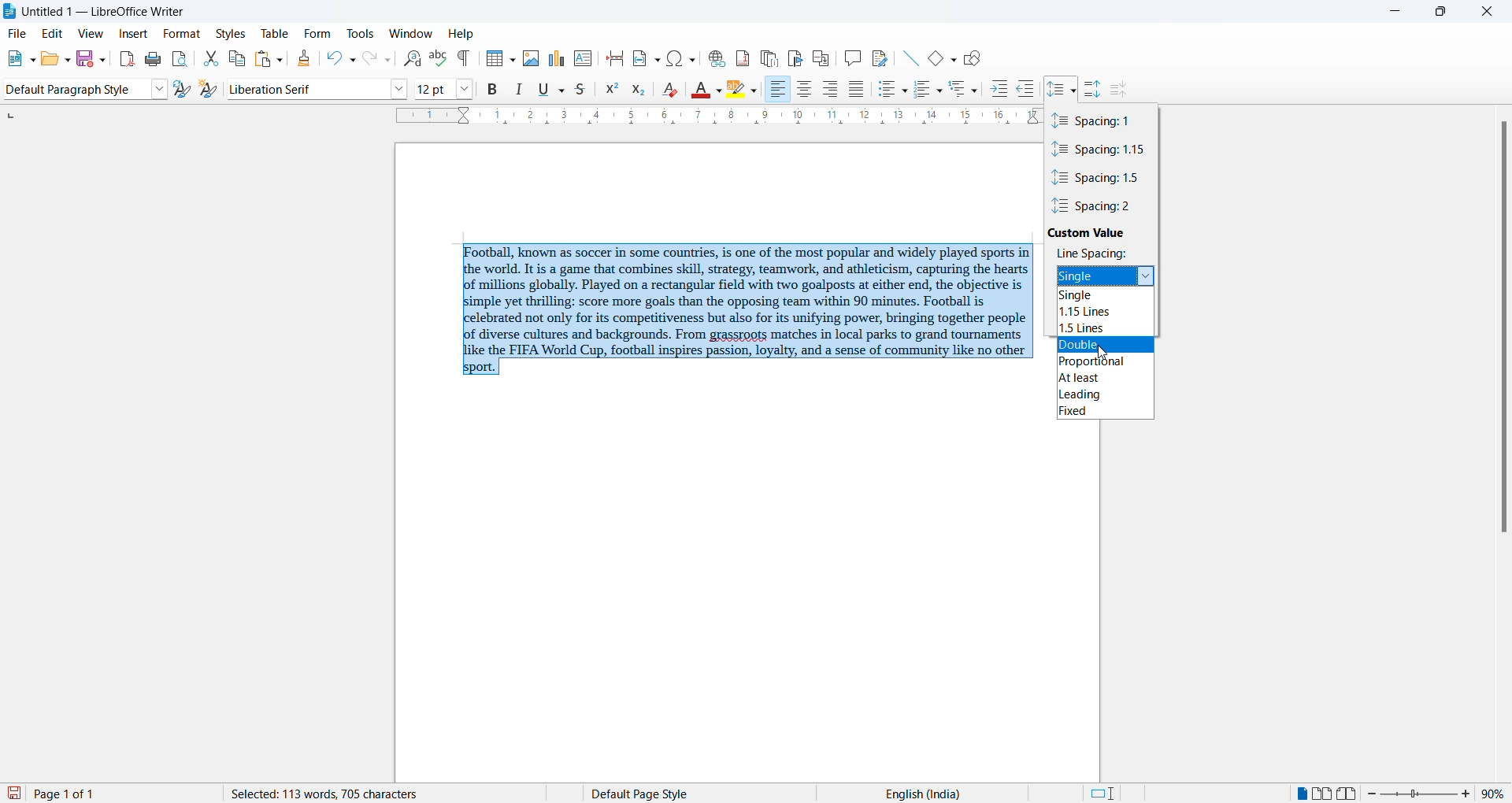 The image size is (1512, 803). What do you see at coordinates (180, 35) in the screenshot?
I see `format` at bounding box center [180, 35].